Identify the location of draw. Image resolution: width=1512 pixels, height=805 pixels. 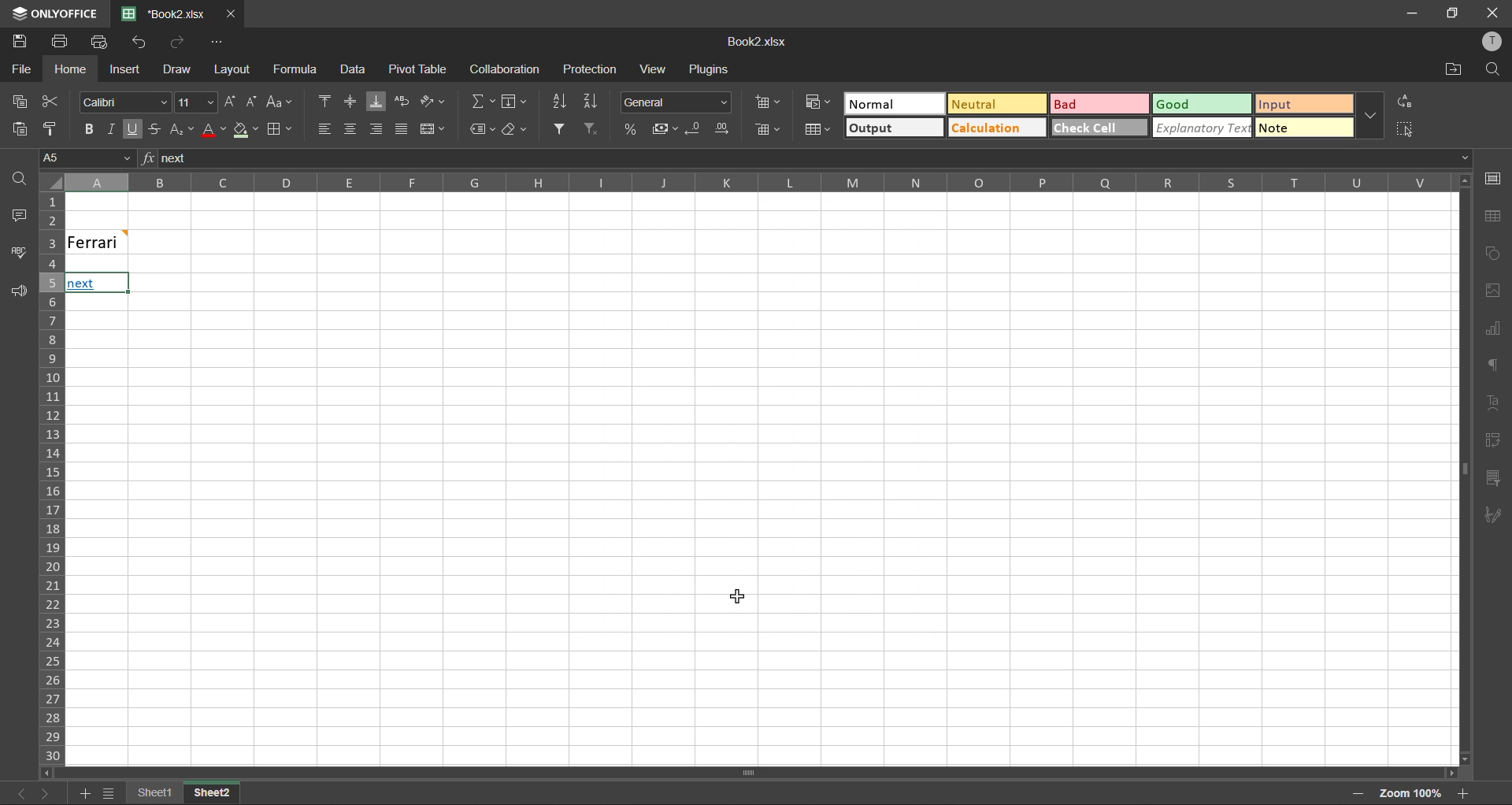
(177, 72).